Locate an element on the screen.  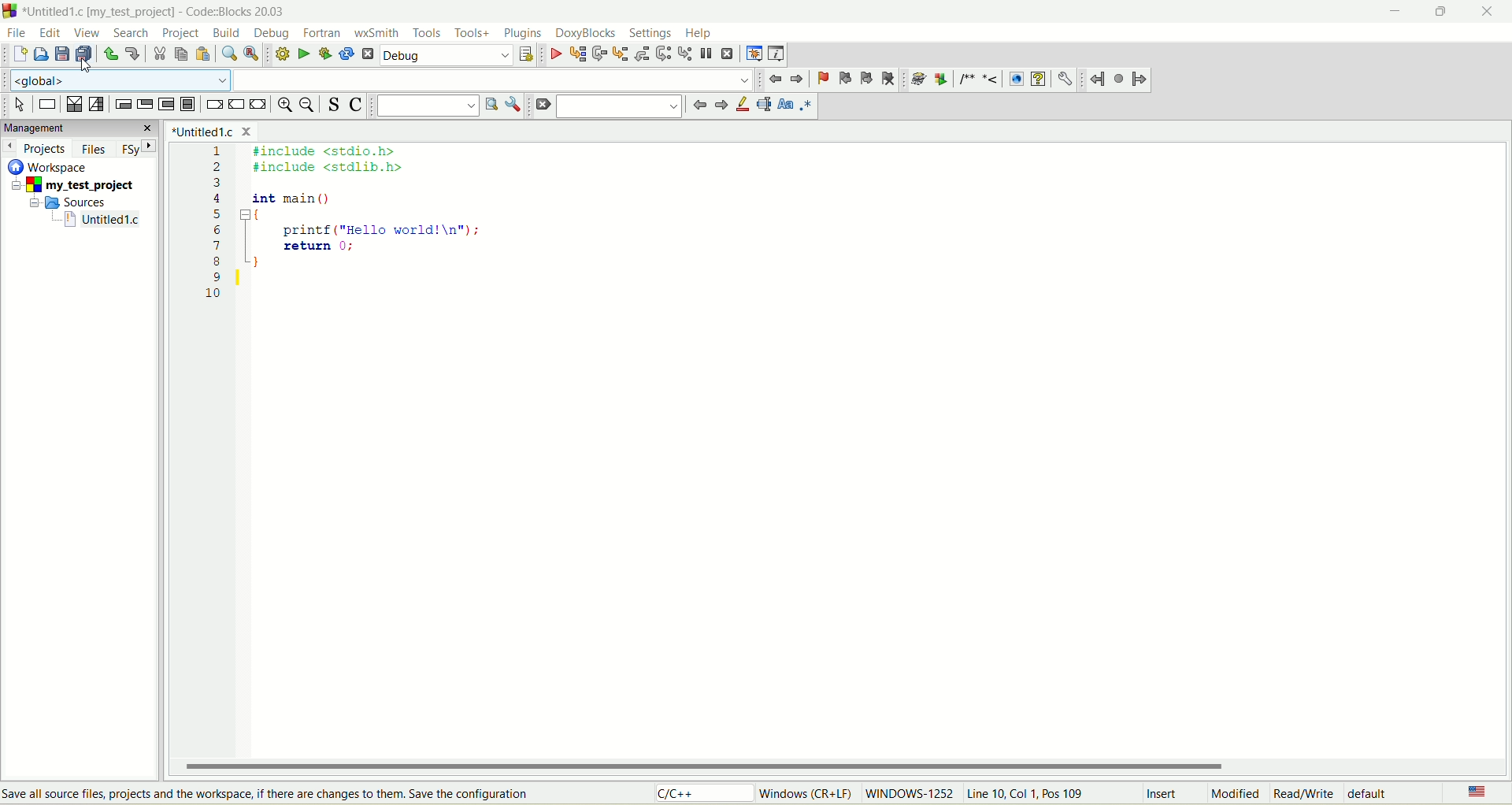
go forward is located at coordinates (698, 106).